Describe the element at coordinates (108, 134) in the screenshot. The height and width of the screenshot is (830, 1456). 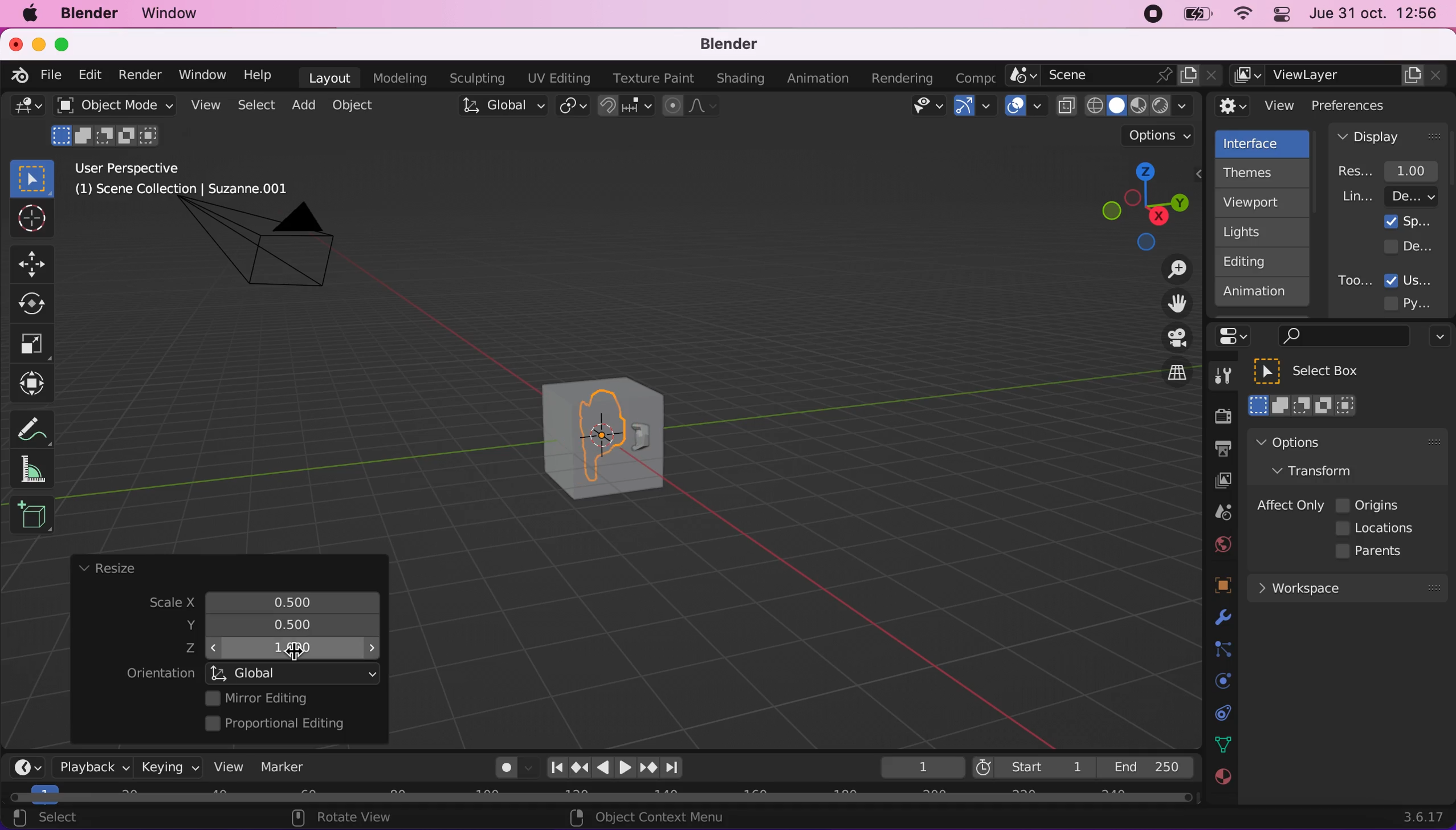
I see `mode` at that location.